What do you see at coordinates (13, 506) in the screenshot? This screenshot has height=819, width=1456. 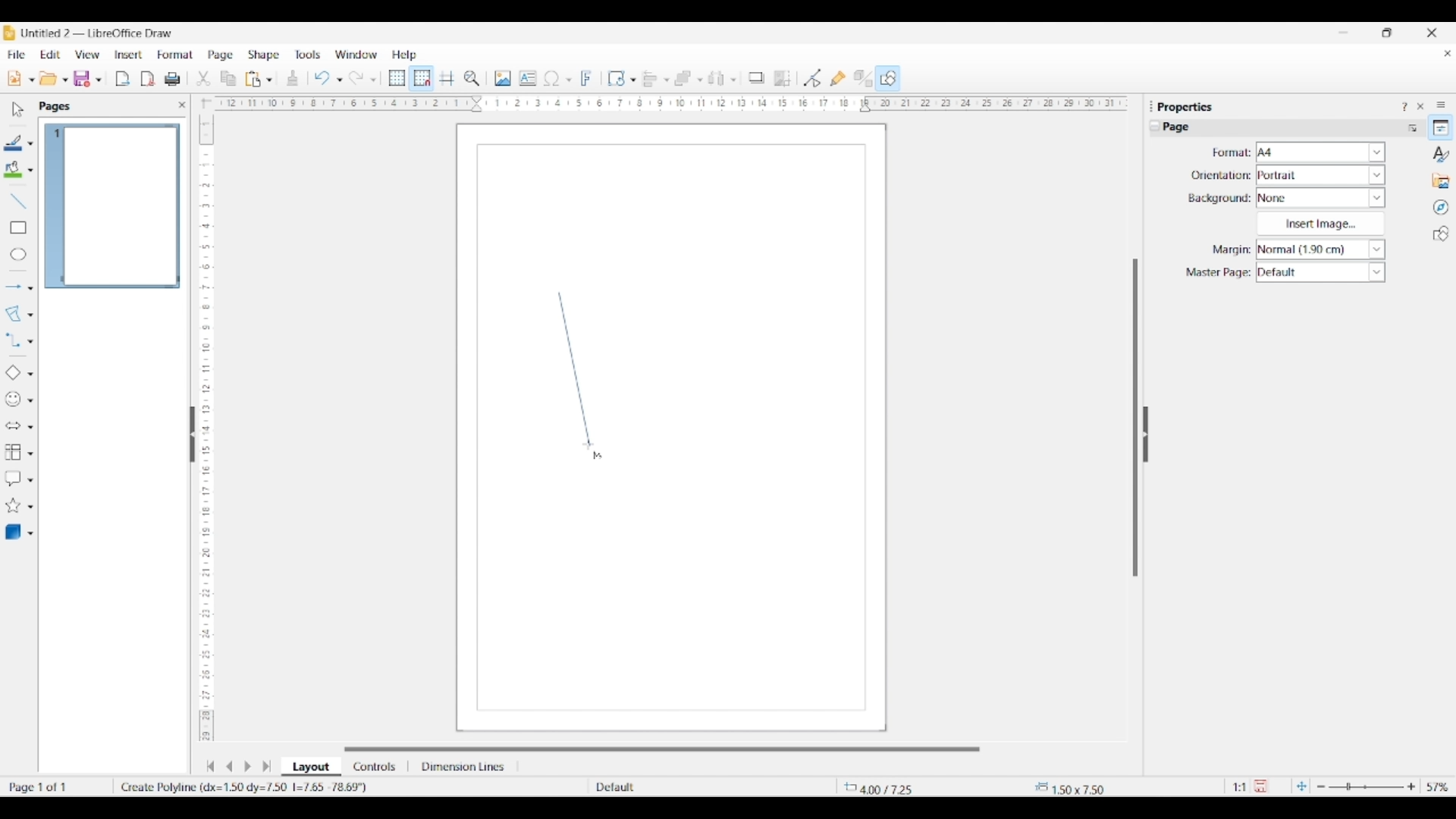 I see `Selected star` at bounding box center [13, 506].